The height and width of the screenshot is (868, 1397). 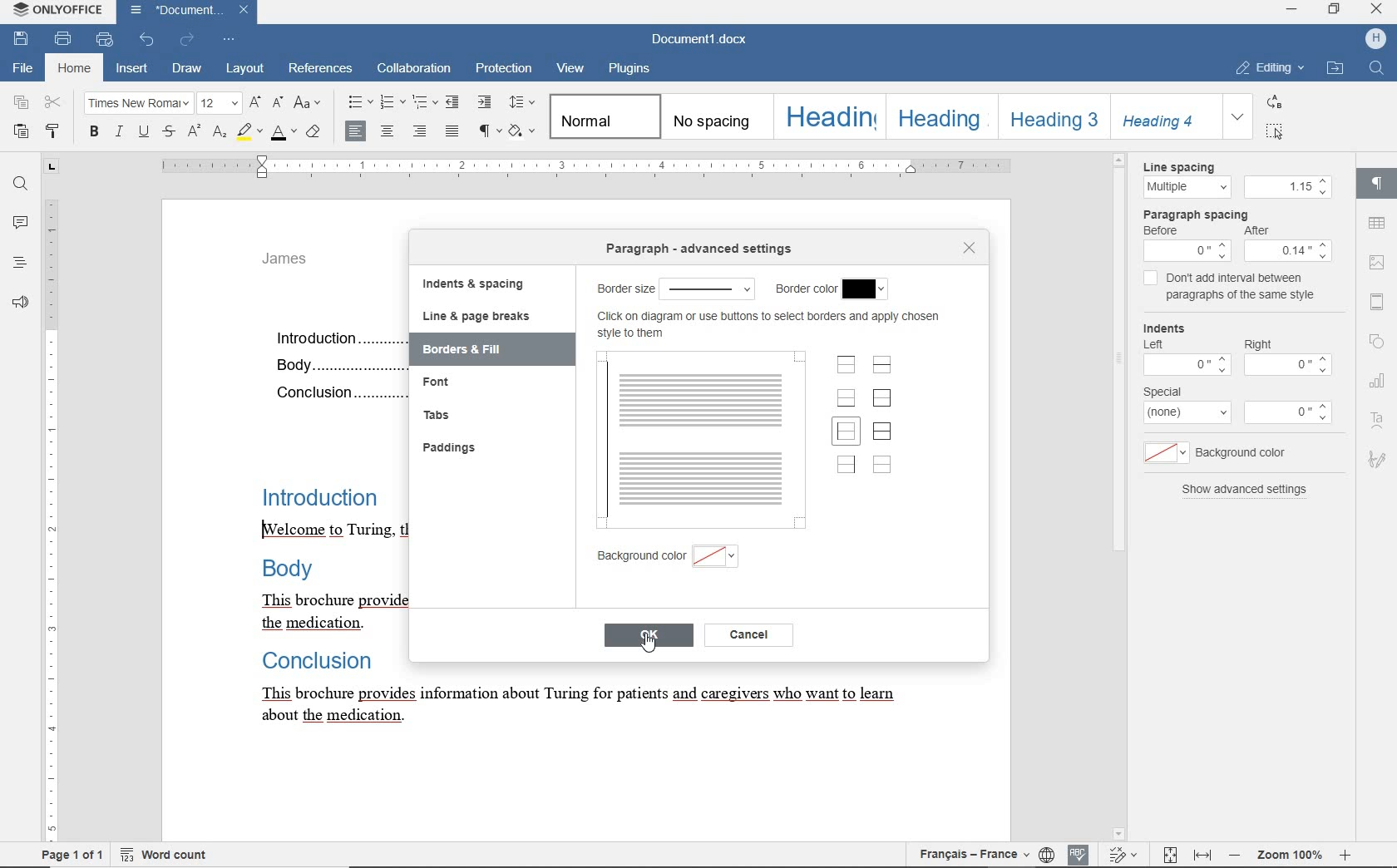 What do you see at coordinates (845, 465) in the screenshot?
I see `set right border only` at bounding box center [845, 465].